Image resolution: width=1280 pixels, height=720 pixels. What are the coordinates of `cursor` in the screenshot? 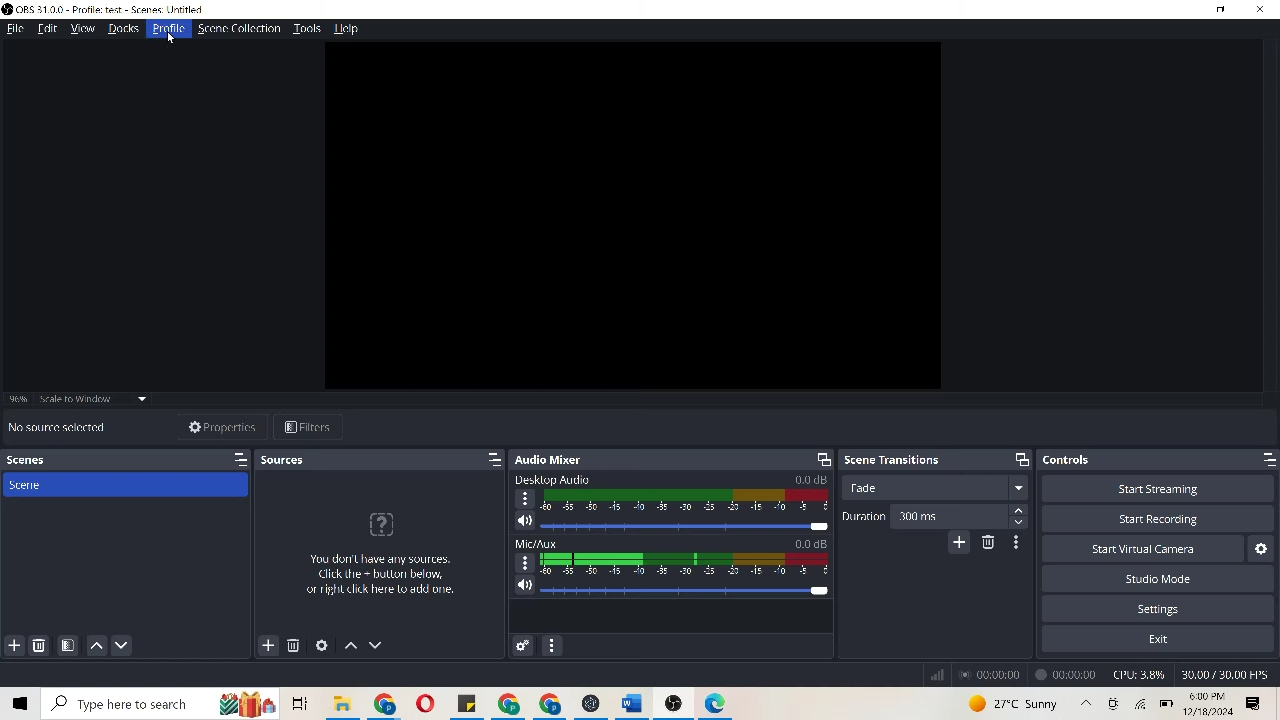 It's located at (173, 38).